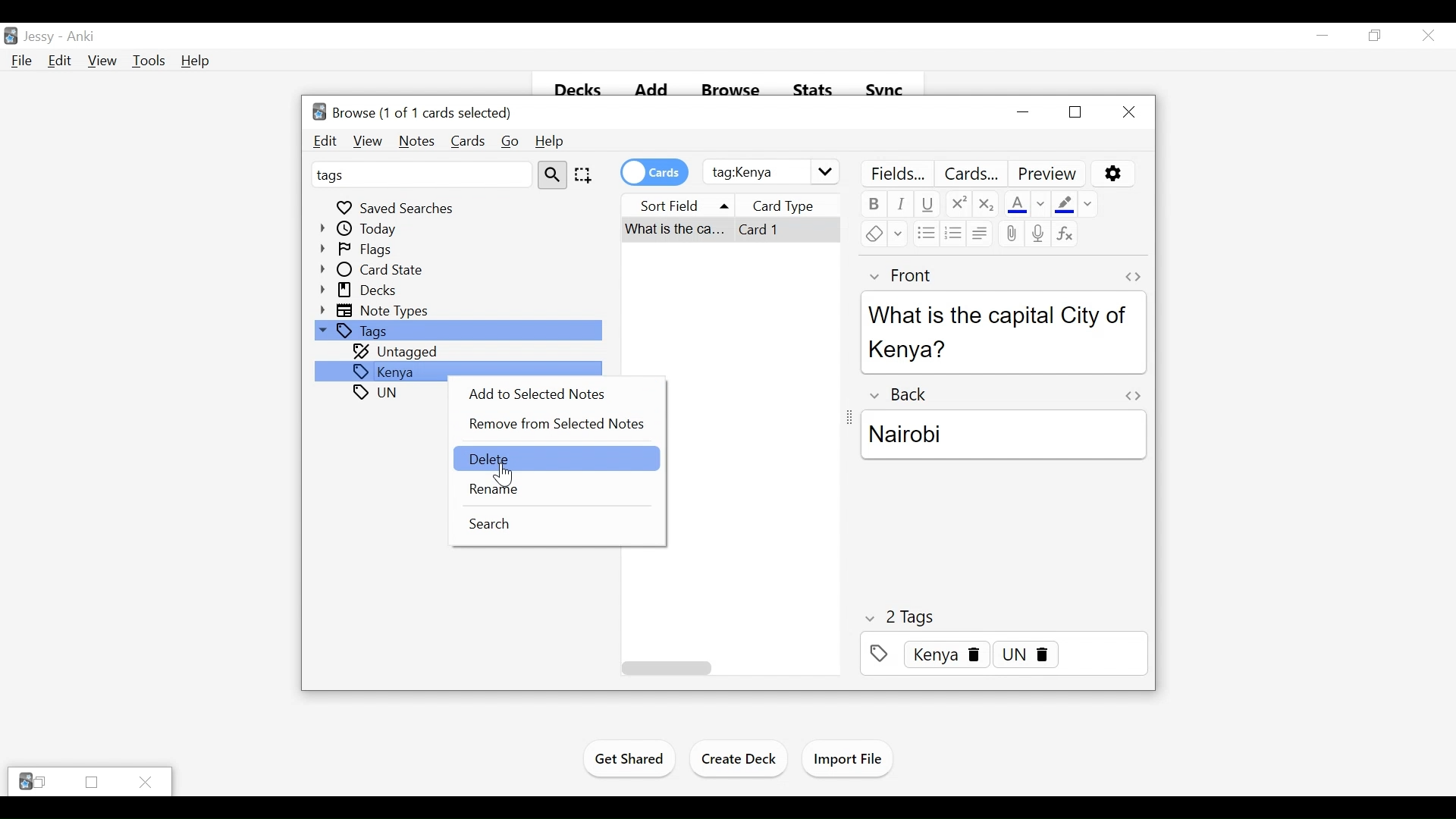 This screenshot has width=1456, height=819. I want to click on Go, so click(509, 142).